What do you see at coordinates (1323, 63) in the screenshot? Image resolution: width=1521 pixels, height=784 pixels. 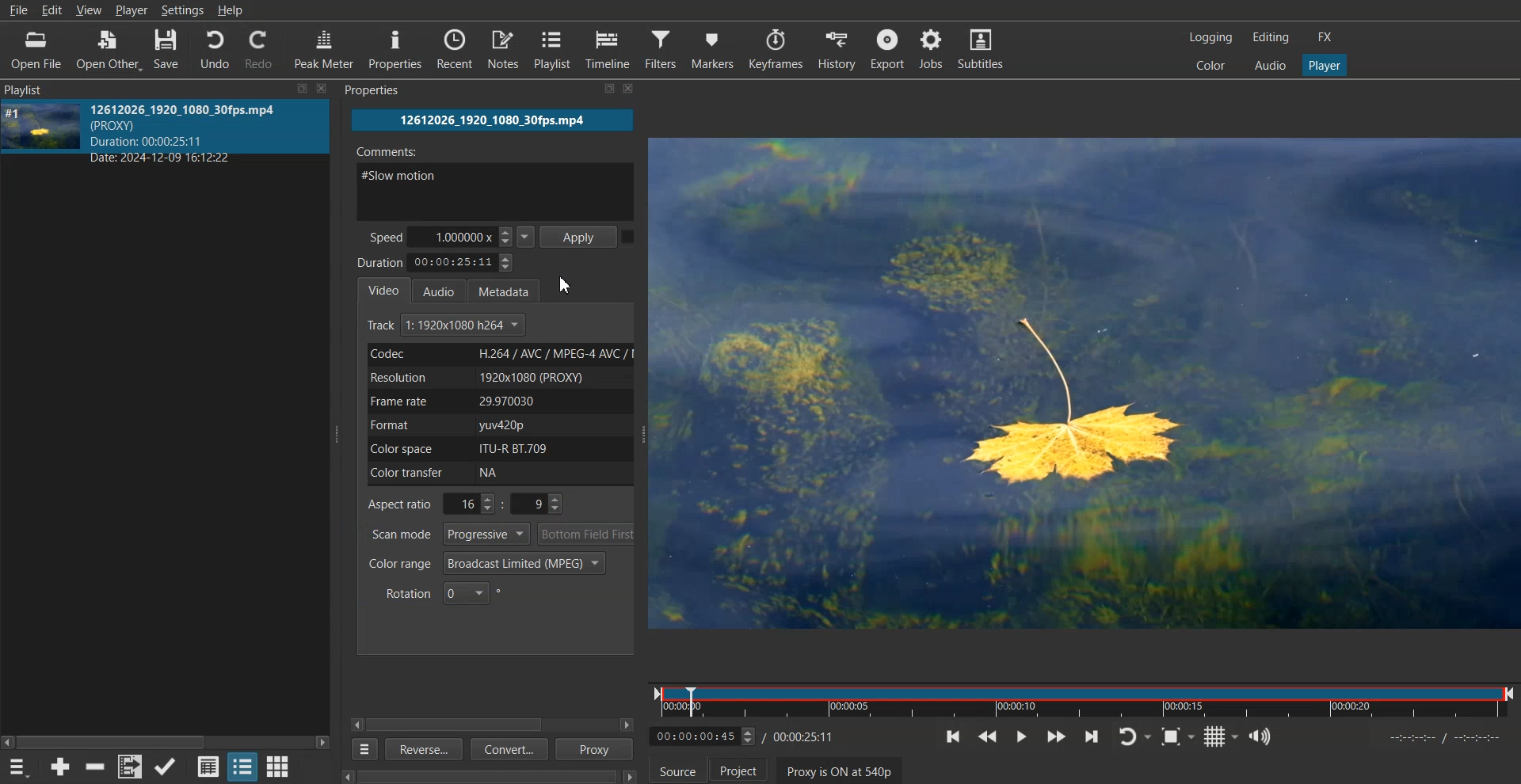 I see `Player one` at bounding box center [1323, 63].